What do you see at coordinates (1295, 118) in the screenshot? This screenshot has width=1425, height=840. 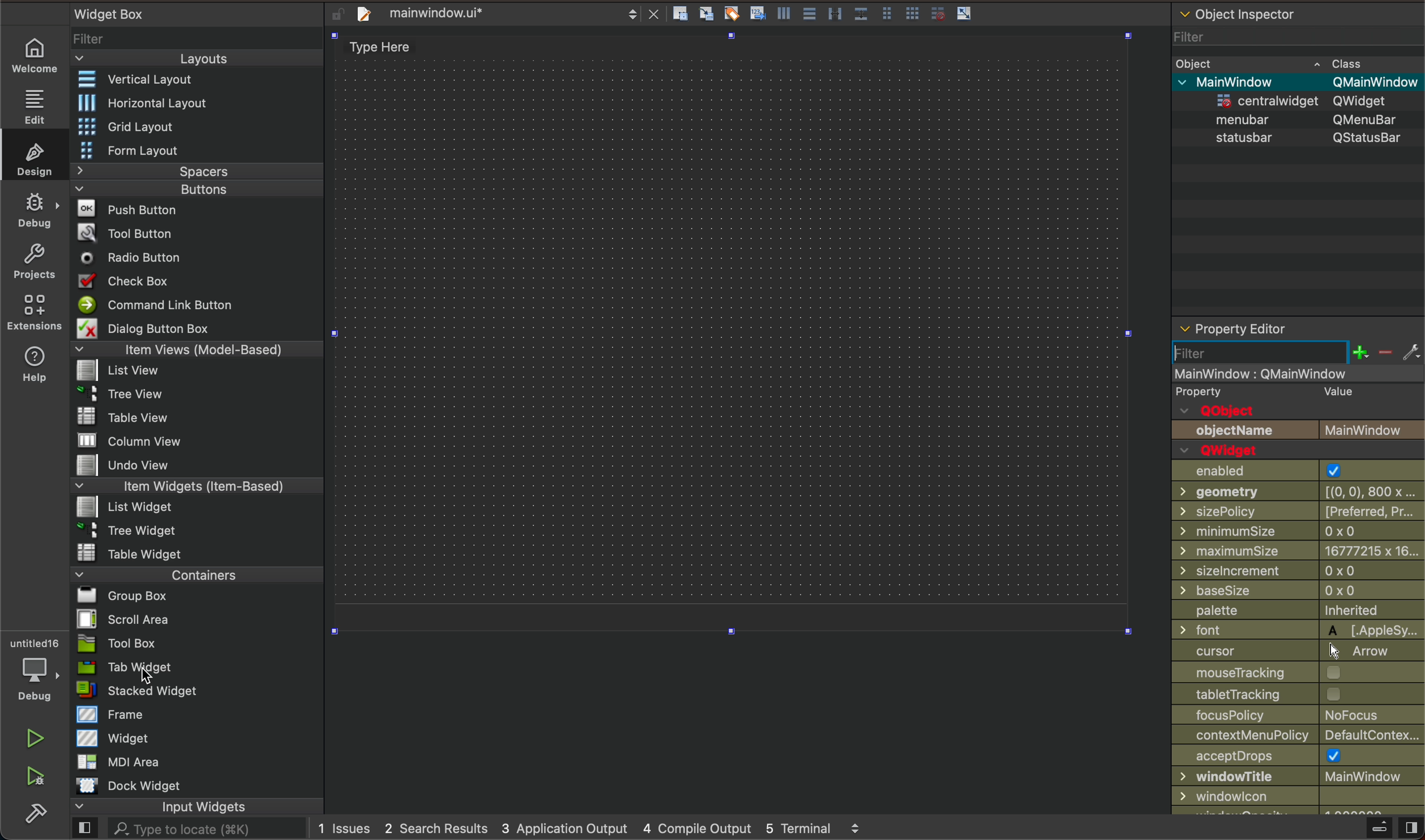 I see `menubar QMenuBar` at bounding box center [1295, 118].